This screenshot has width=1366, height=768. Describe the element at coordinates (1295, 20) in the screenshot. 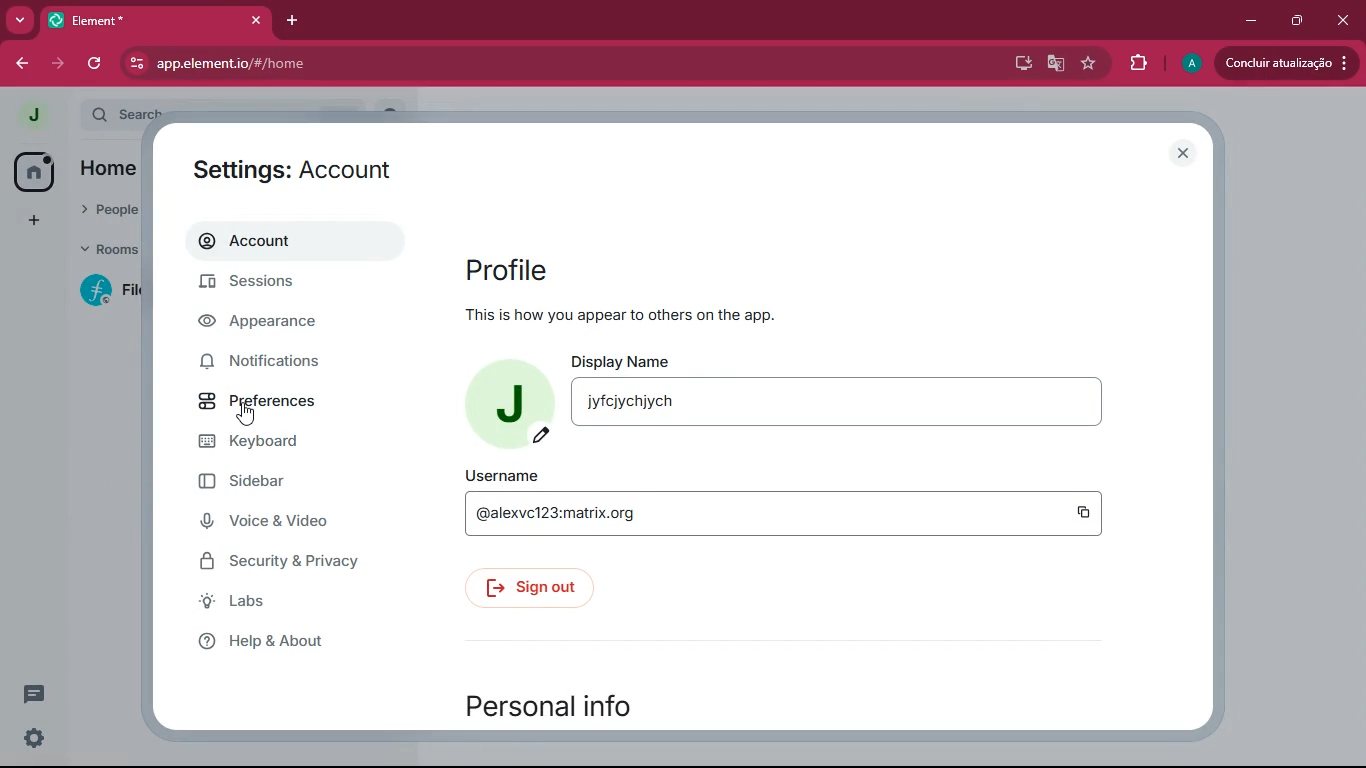

I see `restore down` at that location.